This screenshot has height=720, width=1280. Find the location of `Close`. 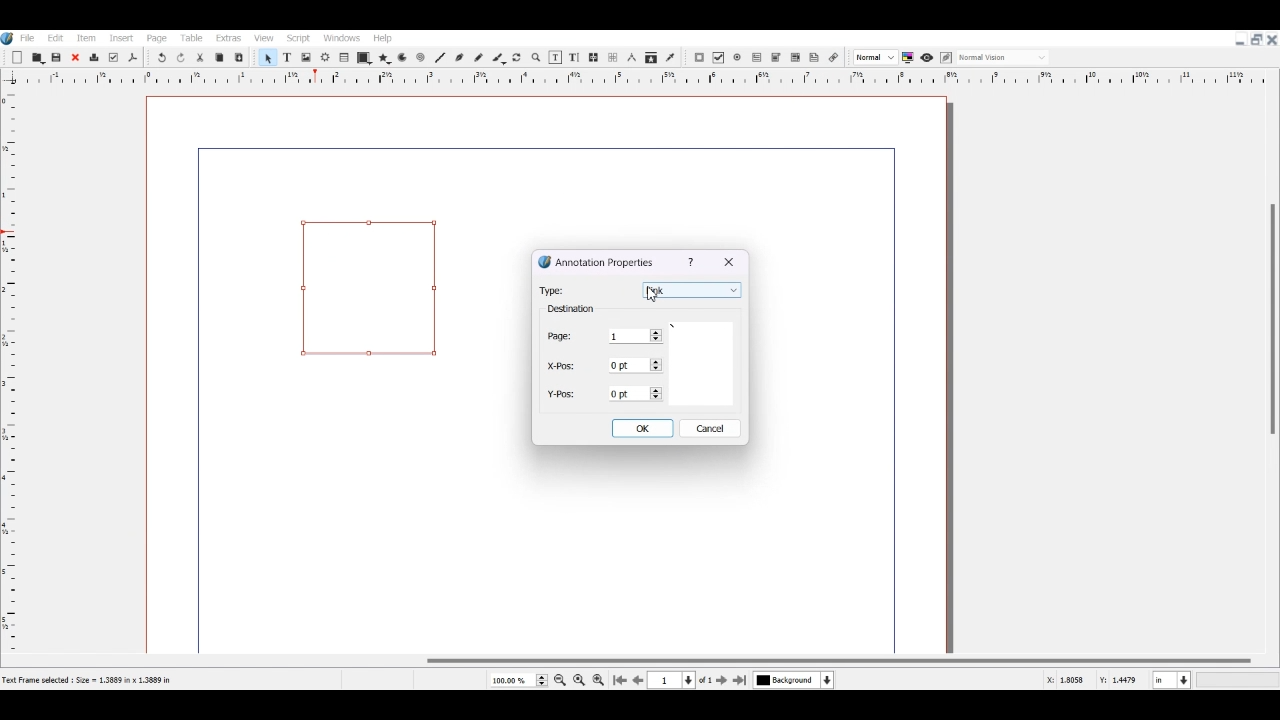

Close is located at coordinates (75, 58).